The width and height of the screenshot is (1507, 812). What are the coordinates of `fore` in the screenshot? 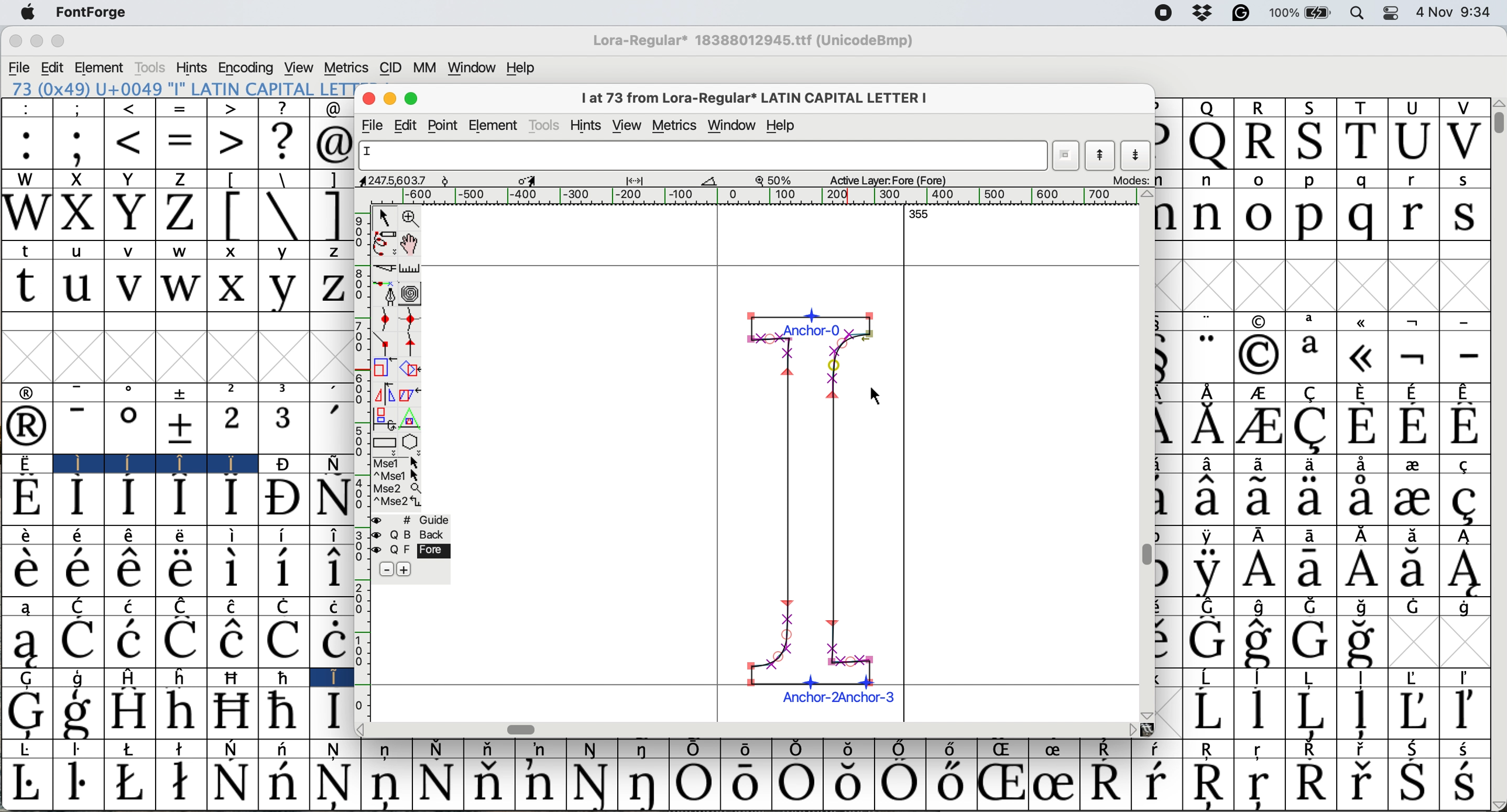 It's located at (422, 550).